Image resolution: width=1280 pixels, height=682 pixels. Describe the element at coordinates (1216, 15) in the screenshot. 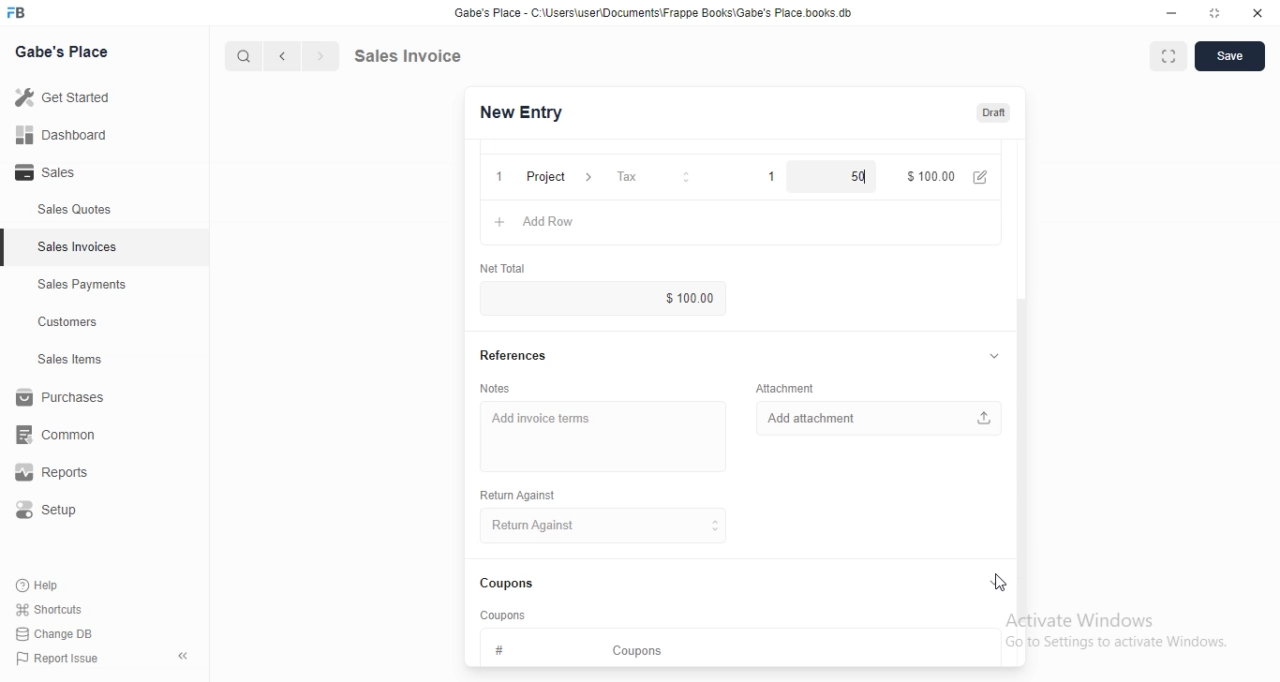

I see `maximize` at that location.